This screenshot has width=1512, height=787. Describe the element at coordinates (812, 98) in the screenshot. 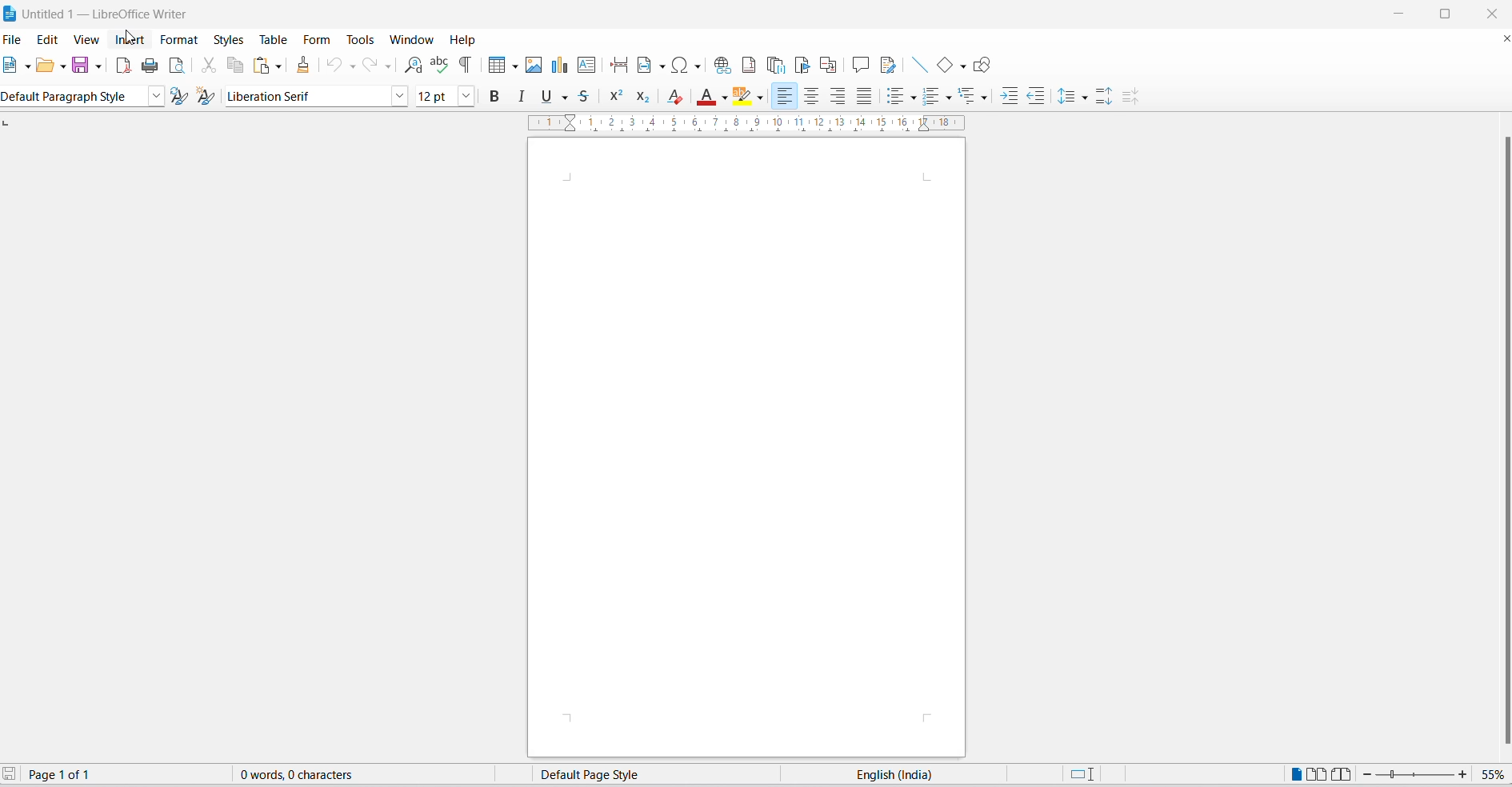

I see `text align center` at that location.